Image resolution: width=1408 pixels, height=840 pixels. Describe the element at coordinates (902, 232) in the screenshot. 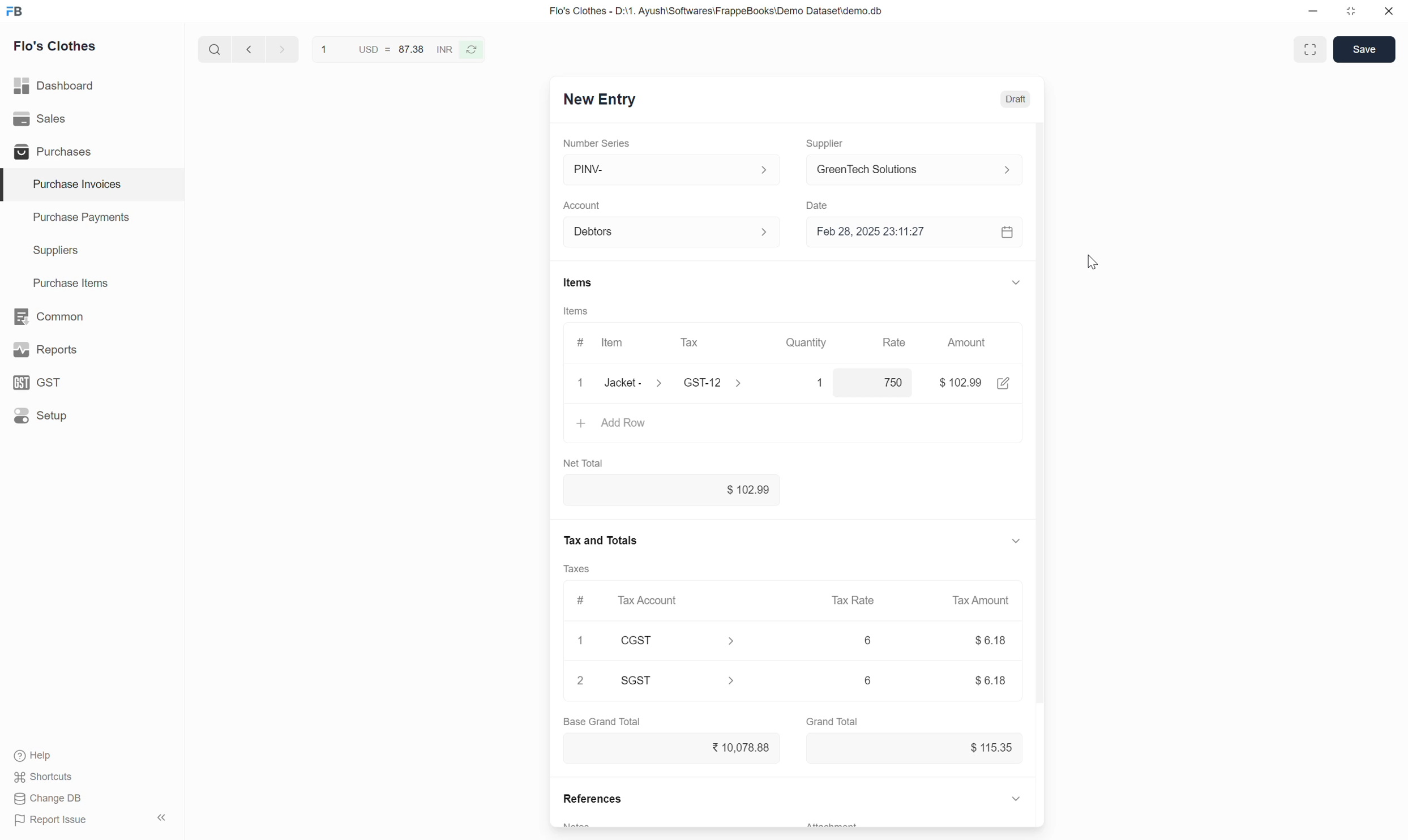

I see `Feb 28, 2025 23:11:27` at that location.